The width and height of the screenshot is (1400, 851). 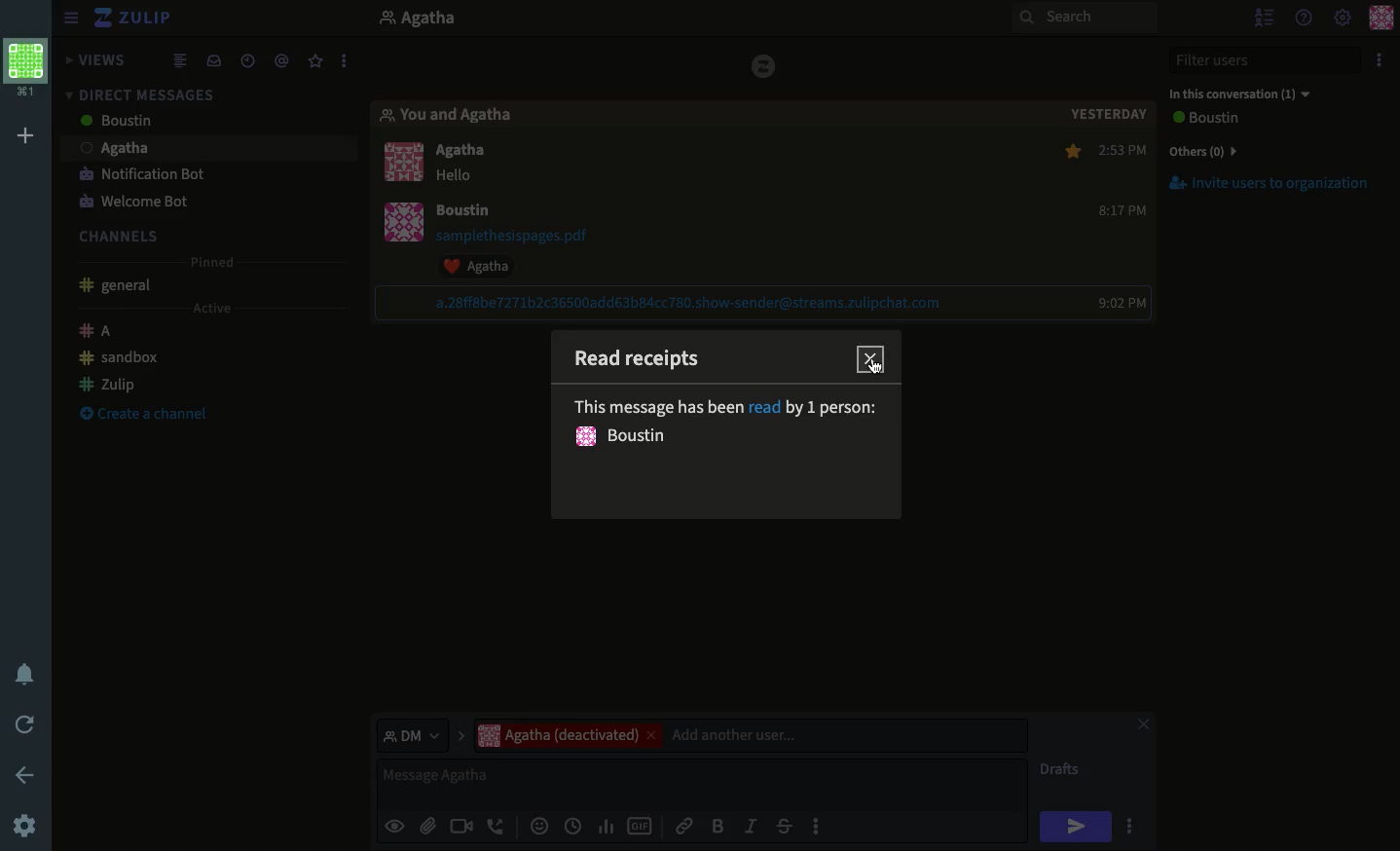 I want to click on options, so click(x=818, y=832).